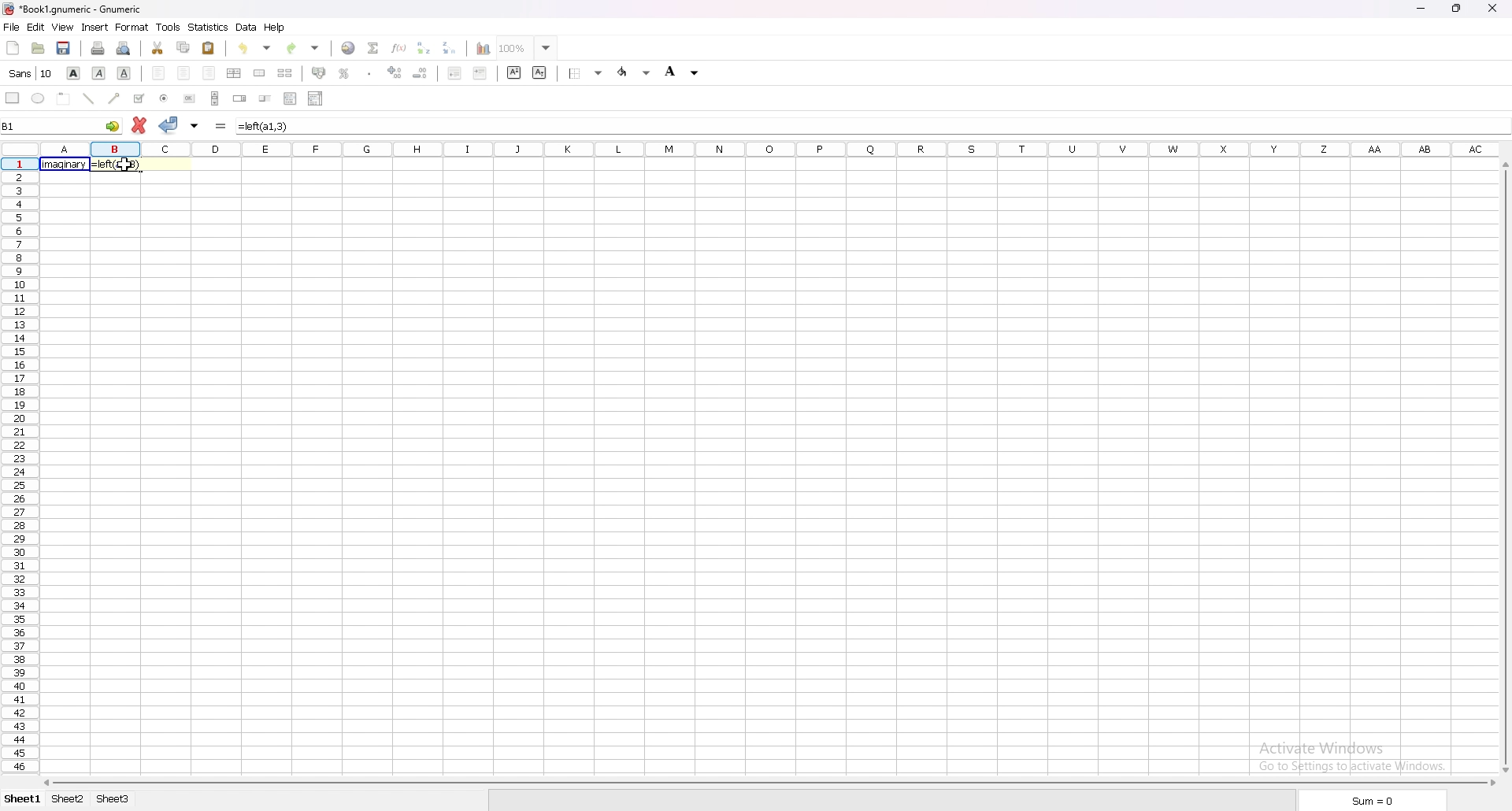 This screenshot has width=1512, height=811. I want to click on right align, so click(209, 72).